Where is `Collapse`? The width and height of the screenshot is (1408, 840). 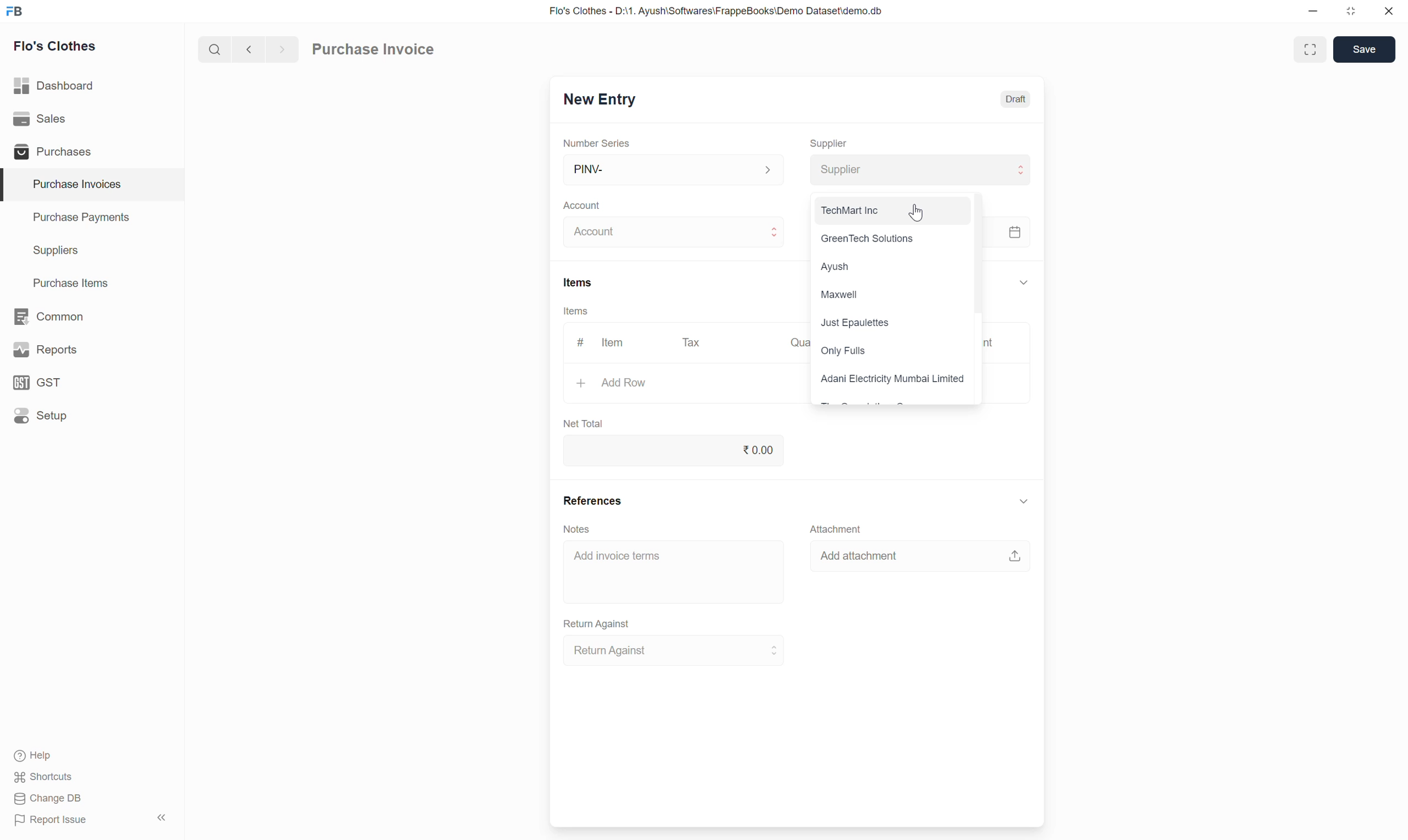 Collapse is located at coordinates (161, 817).